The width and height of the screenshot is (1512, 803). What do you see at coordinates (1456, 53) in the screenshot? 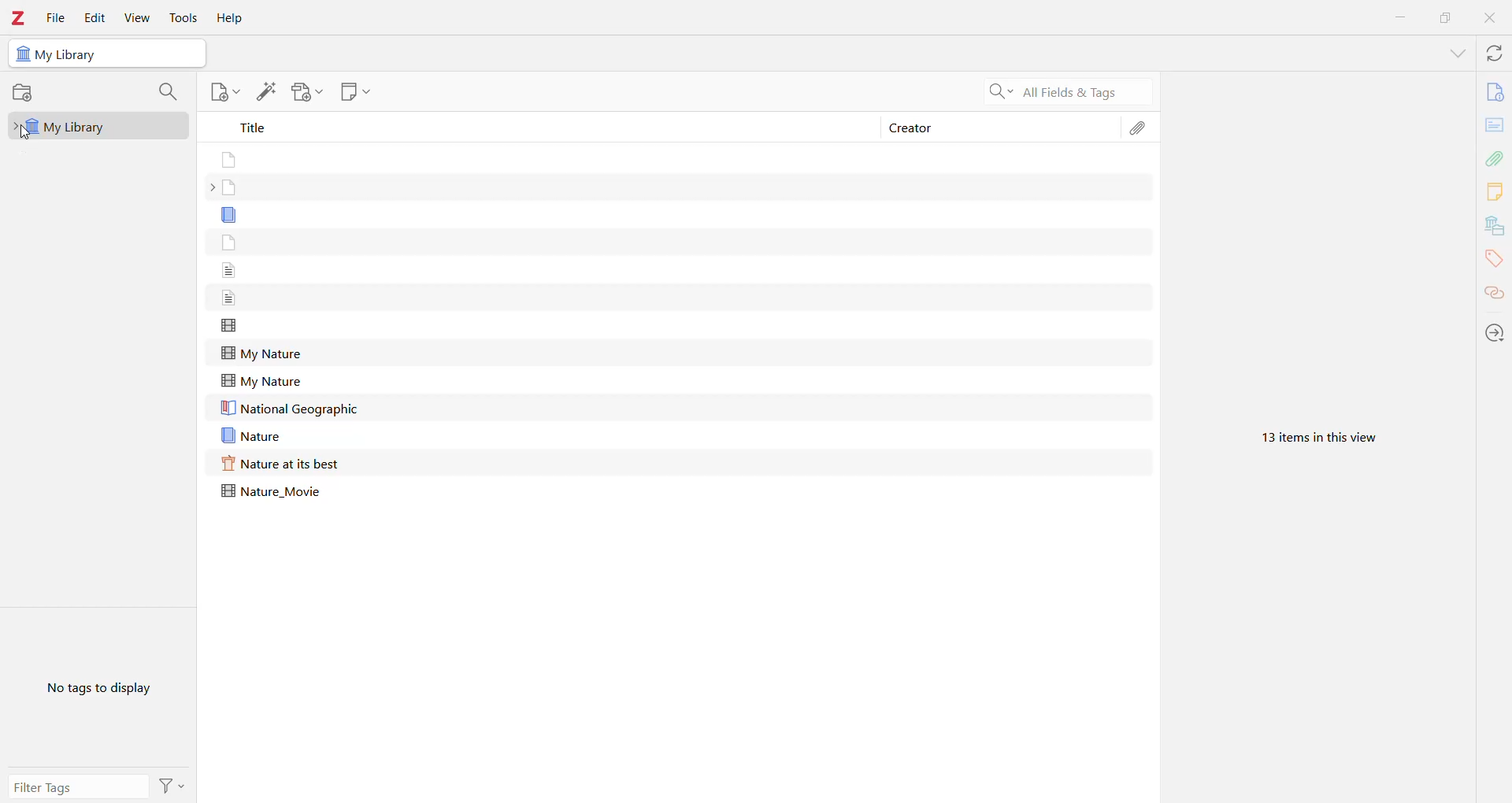
I see `List all Tabs` at bounding box center [1456, 53].